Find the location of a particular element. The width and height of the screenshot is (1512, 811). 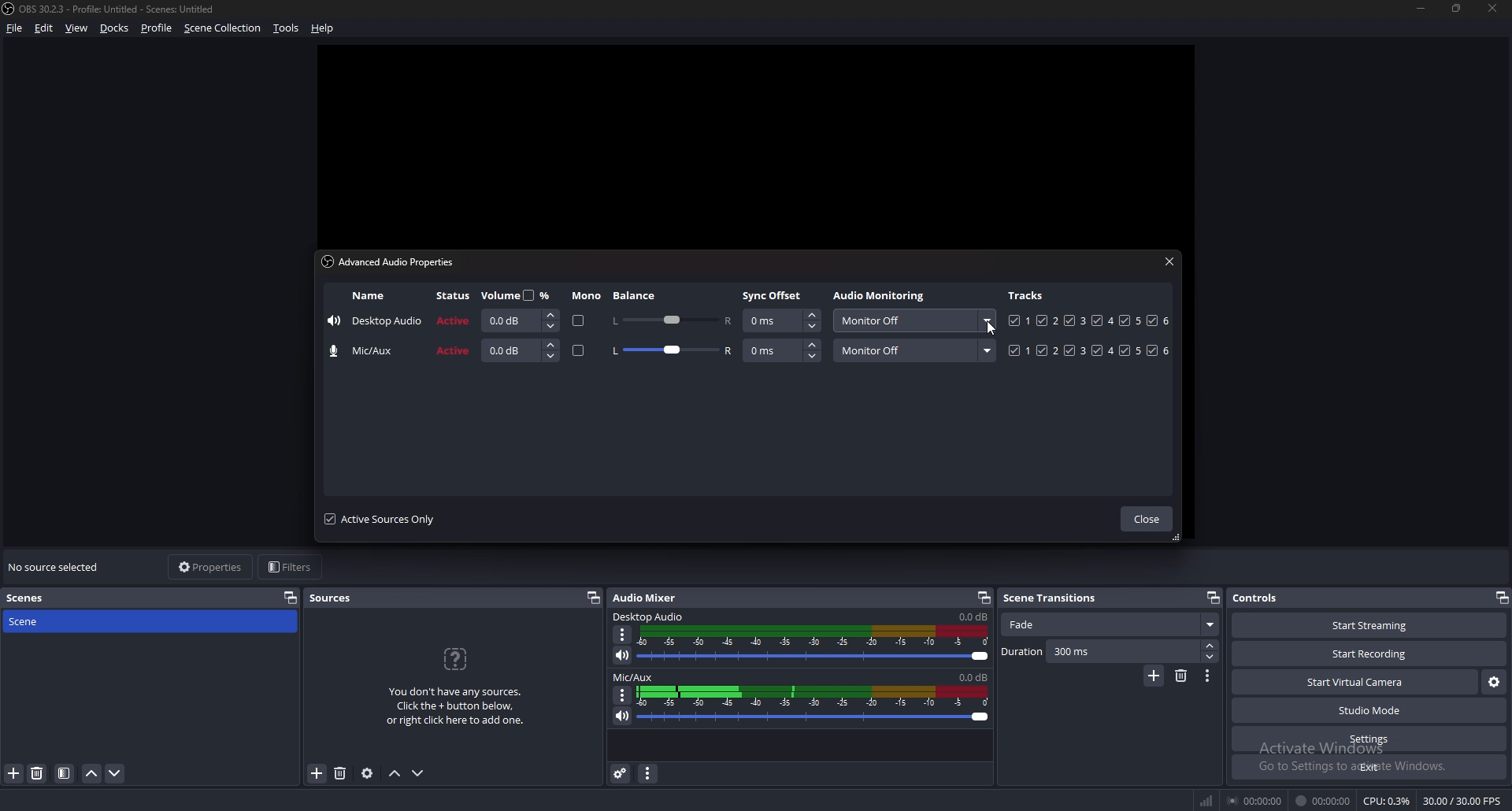

pop out is located at coordinates (291, 598).